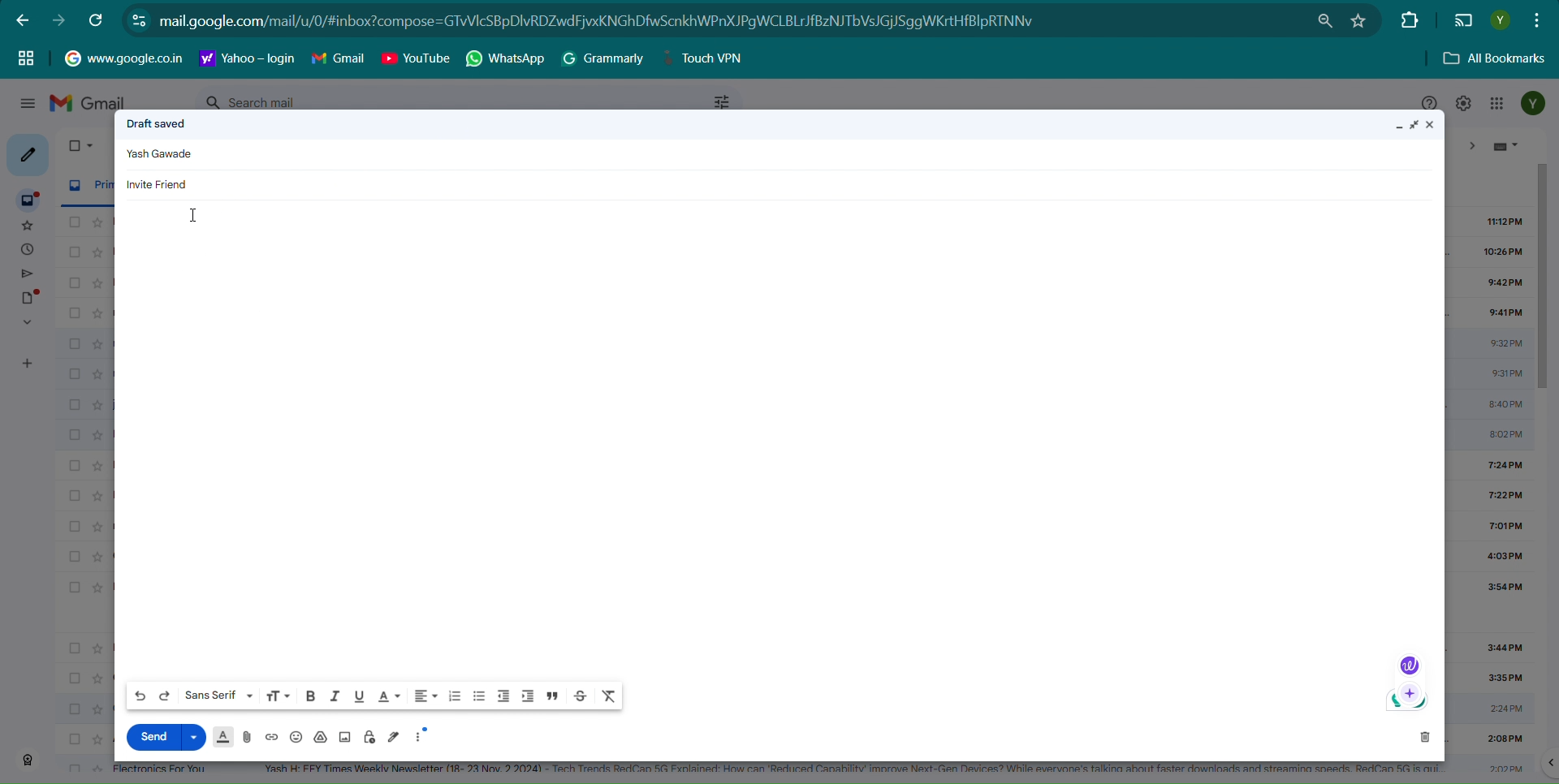 The image size is (1559, 784). Describe the element at coordinates (416, 58) in the screenshot. I see `Youtube` at that location.